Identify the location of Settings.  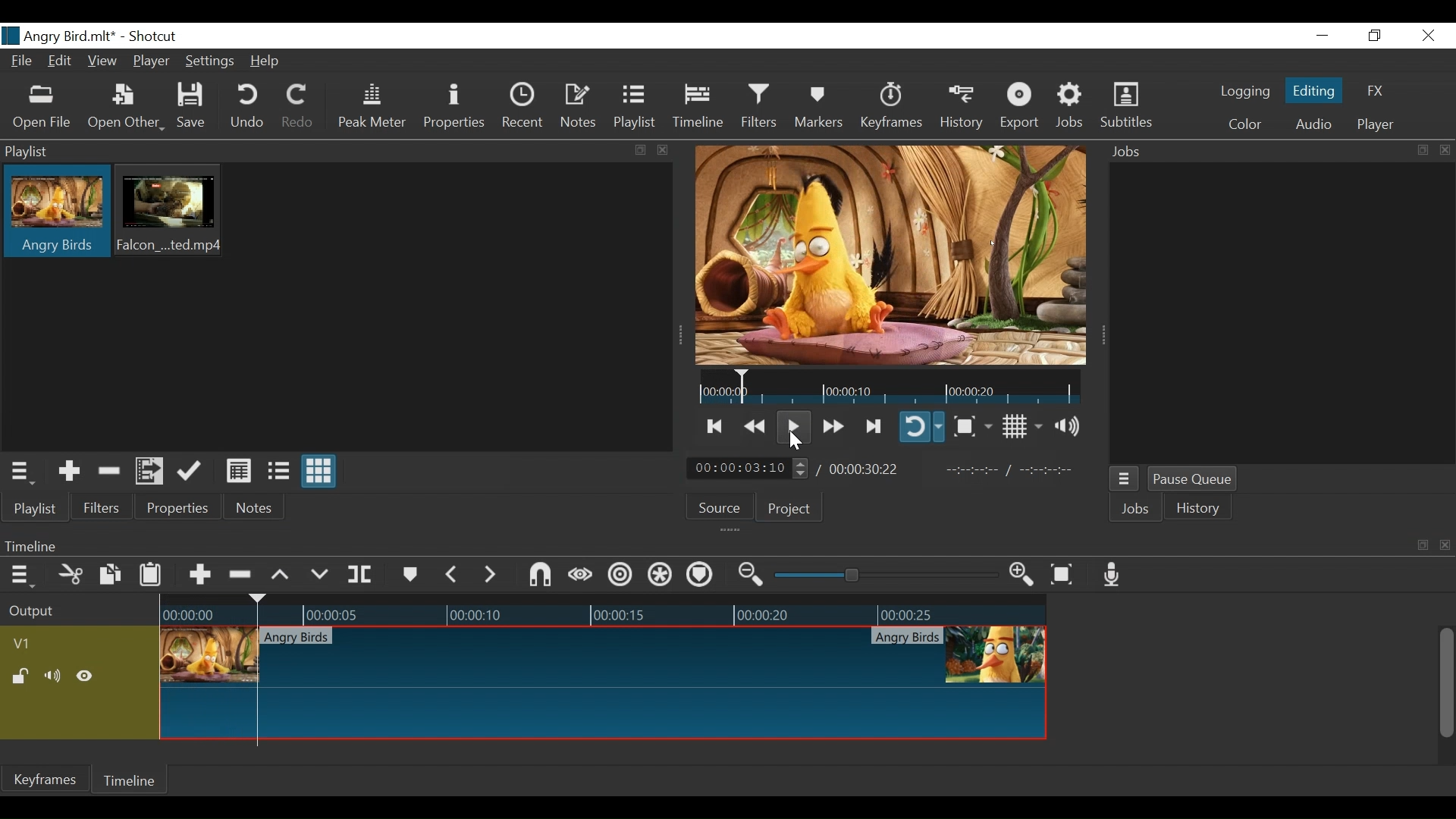
(212, 61).